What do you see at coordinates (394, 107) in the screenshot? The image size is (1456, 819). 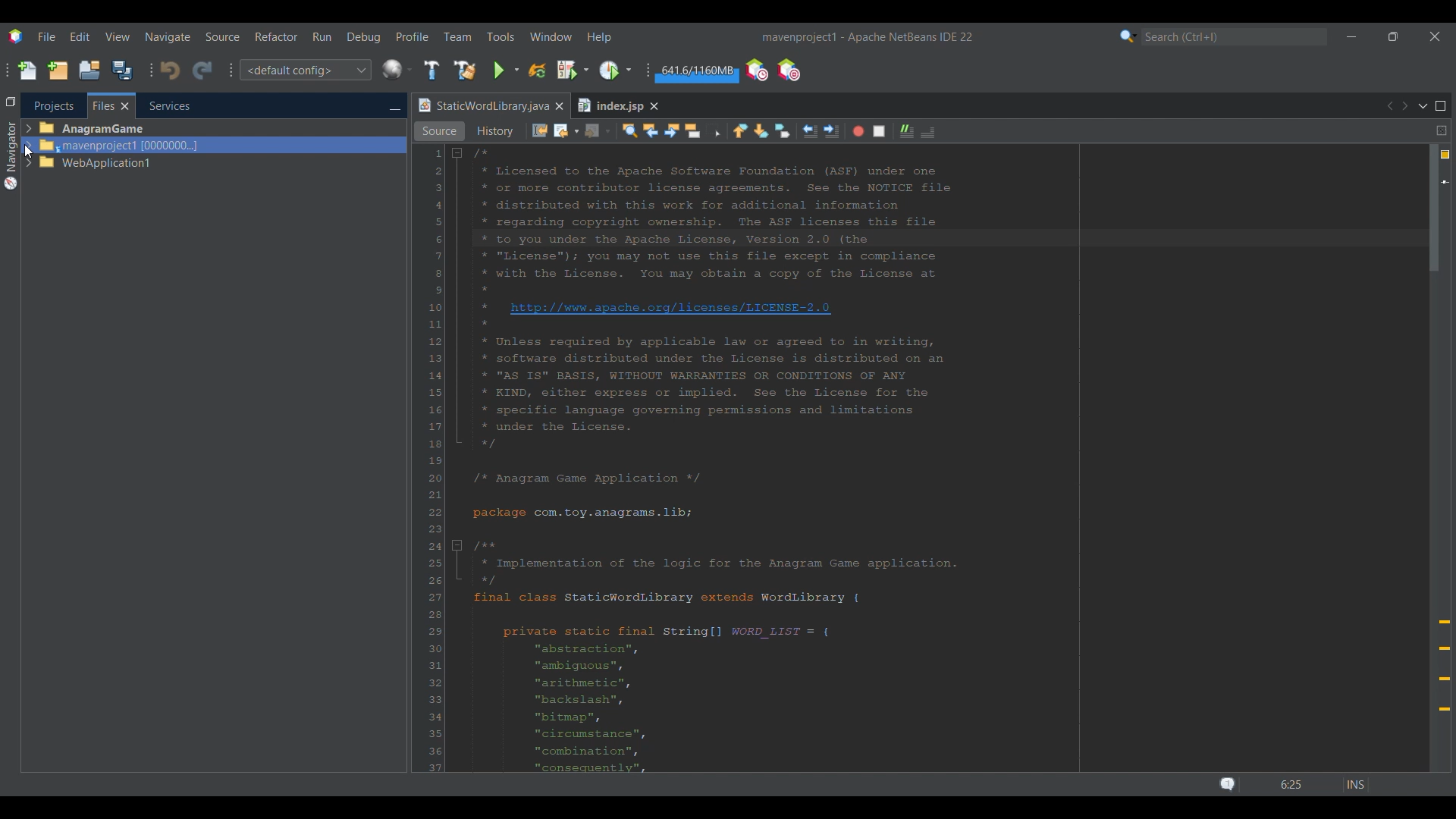 I see `Minimize` at bounding box center [394, 107].